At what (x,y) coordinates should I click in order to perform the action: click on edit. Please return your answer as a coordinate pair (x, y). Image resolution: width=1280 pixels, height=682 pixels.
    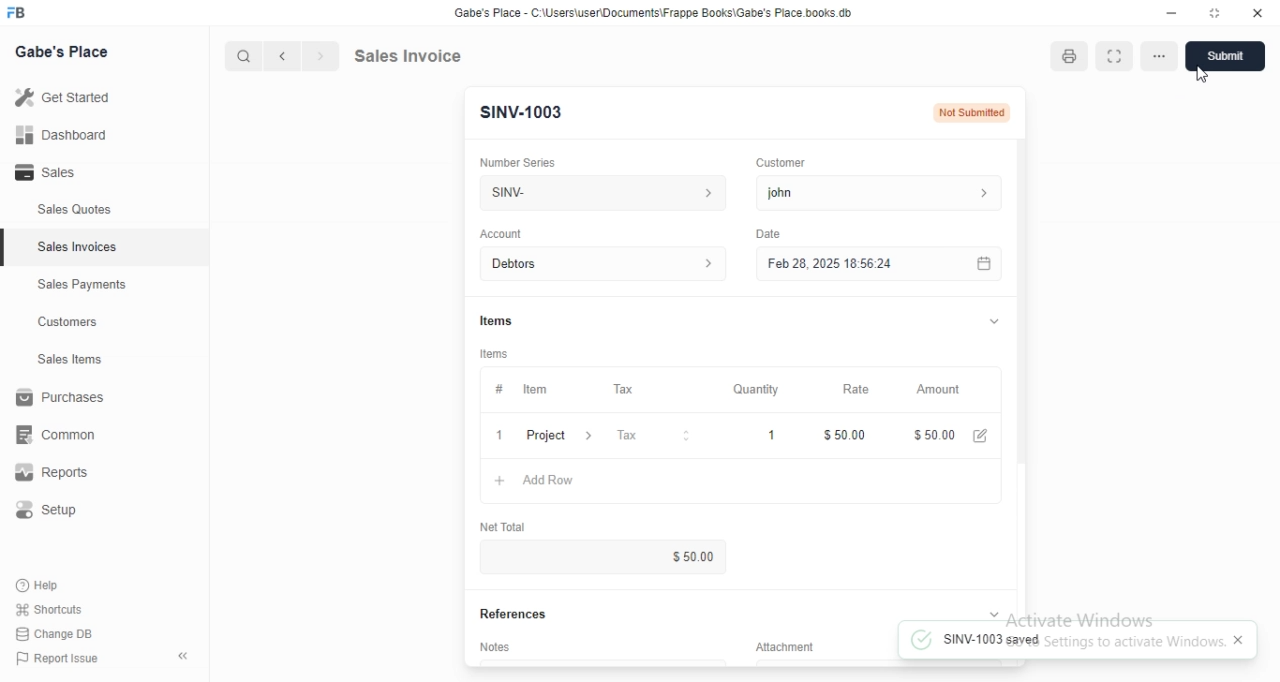
    Looking at the image, I should click on (983, 435).